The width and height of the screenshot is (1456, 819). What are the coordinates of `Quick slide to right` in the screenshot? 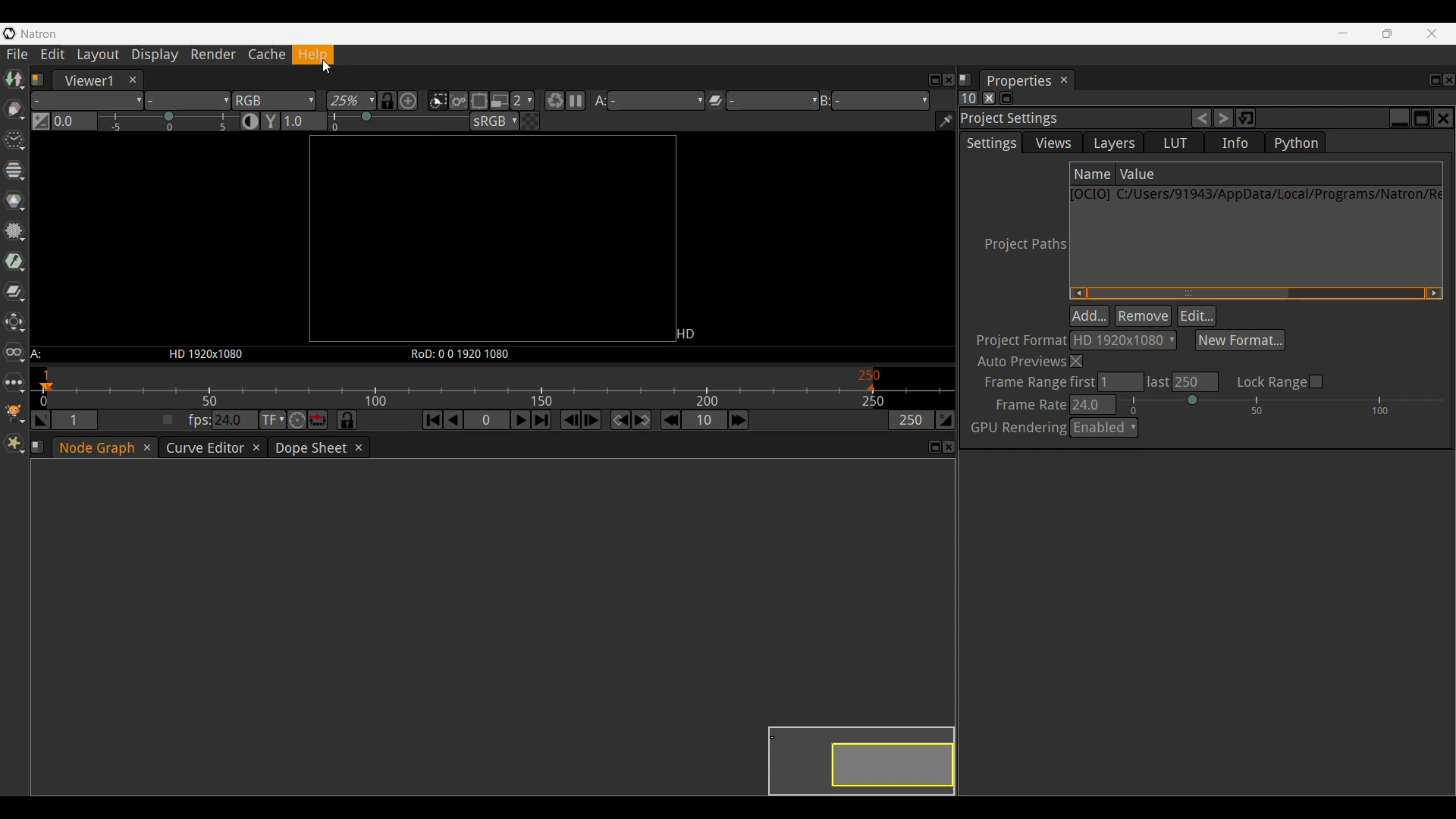 It's located at (1435, 293).